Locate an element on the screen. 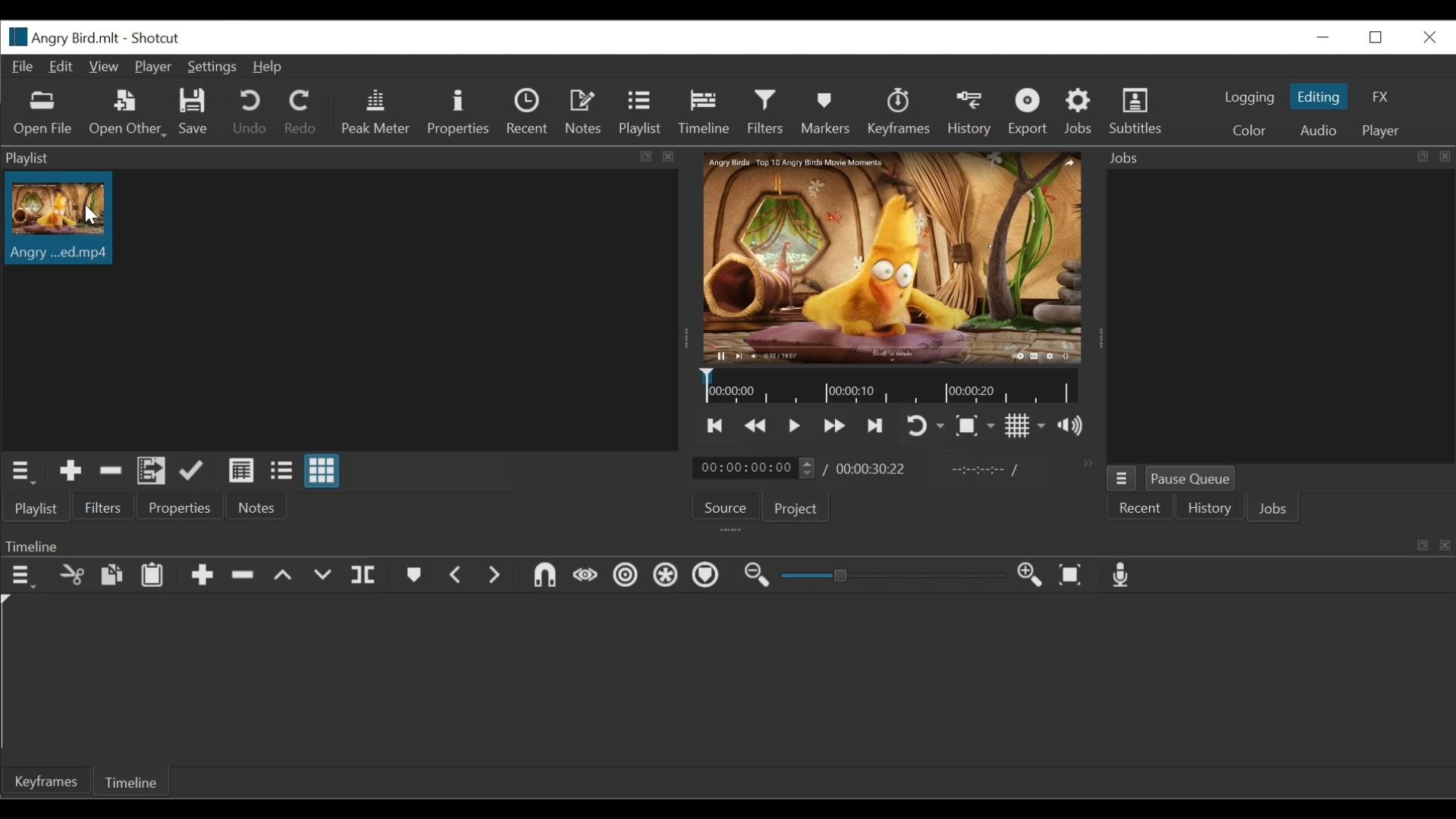 Image resolution: width=1456 pixels, height=819 pixels. Redo is located at coordinates (299, 111).